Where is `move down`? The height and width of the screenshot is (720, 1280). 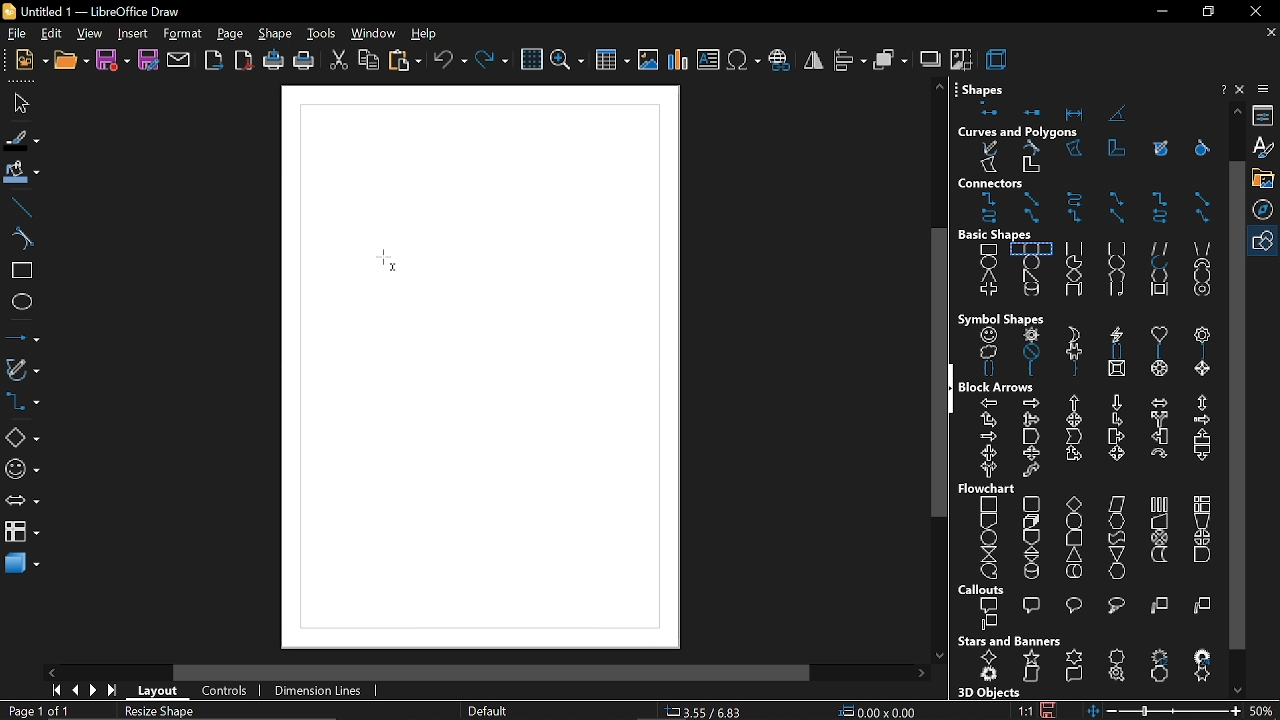 move down is located at coordinates (1241, 689).